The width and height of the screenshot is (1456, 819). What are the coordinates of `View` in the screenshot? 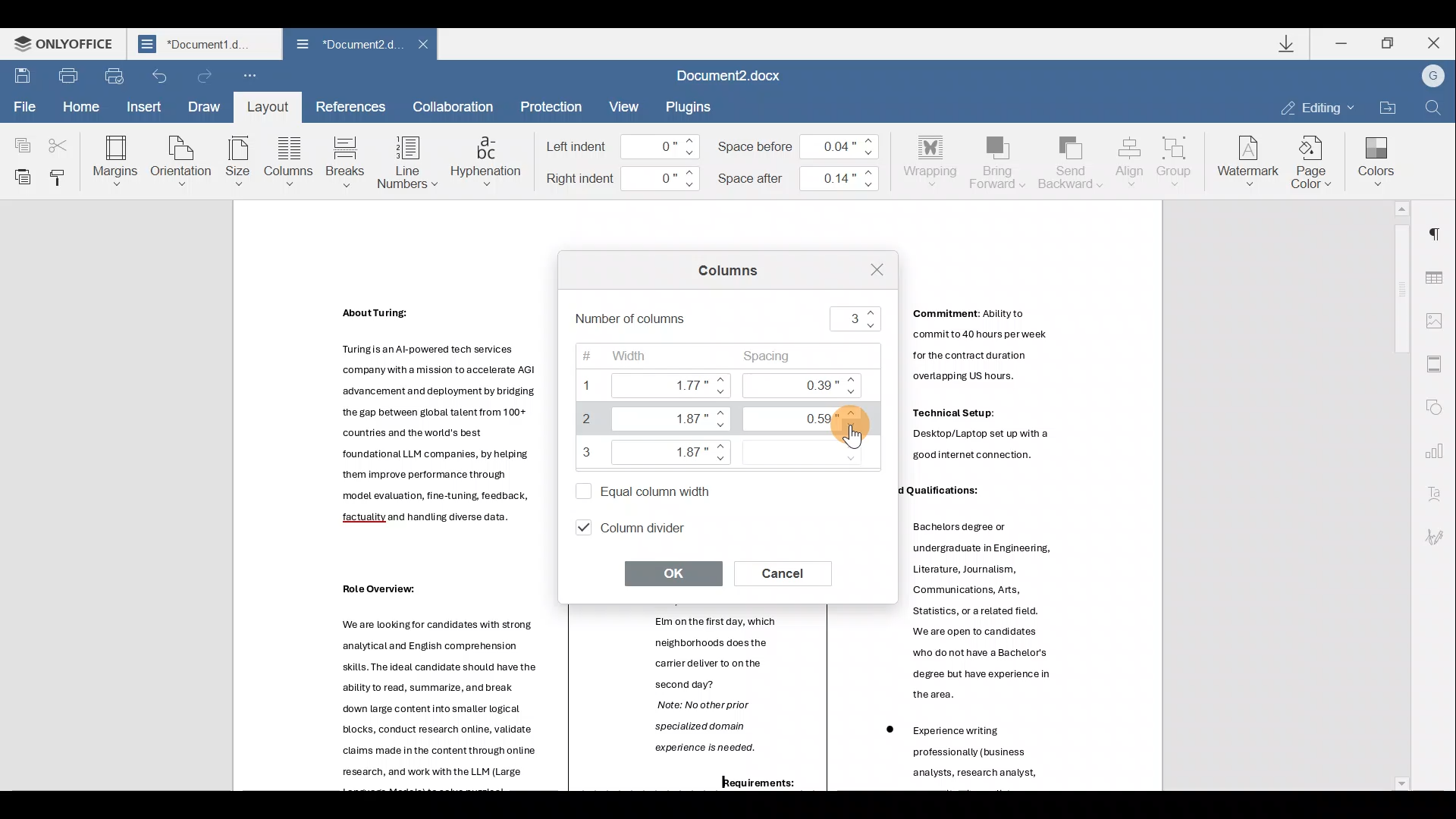 It's located at (625, 106).